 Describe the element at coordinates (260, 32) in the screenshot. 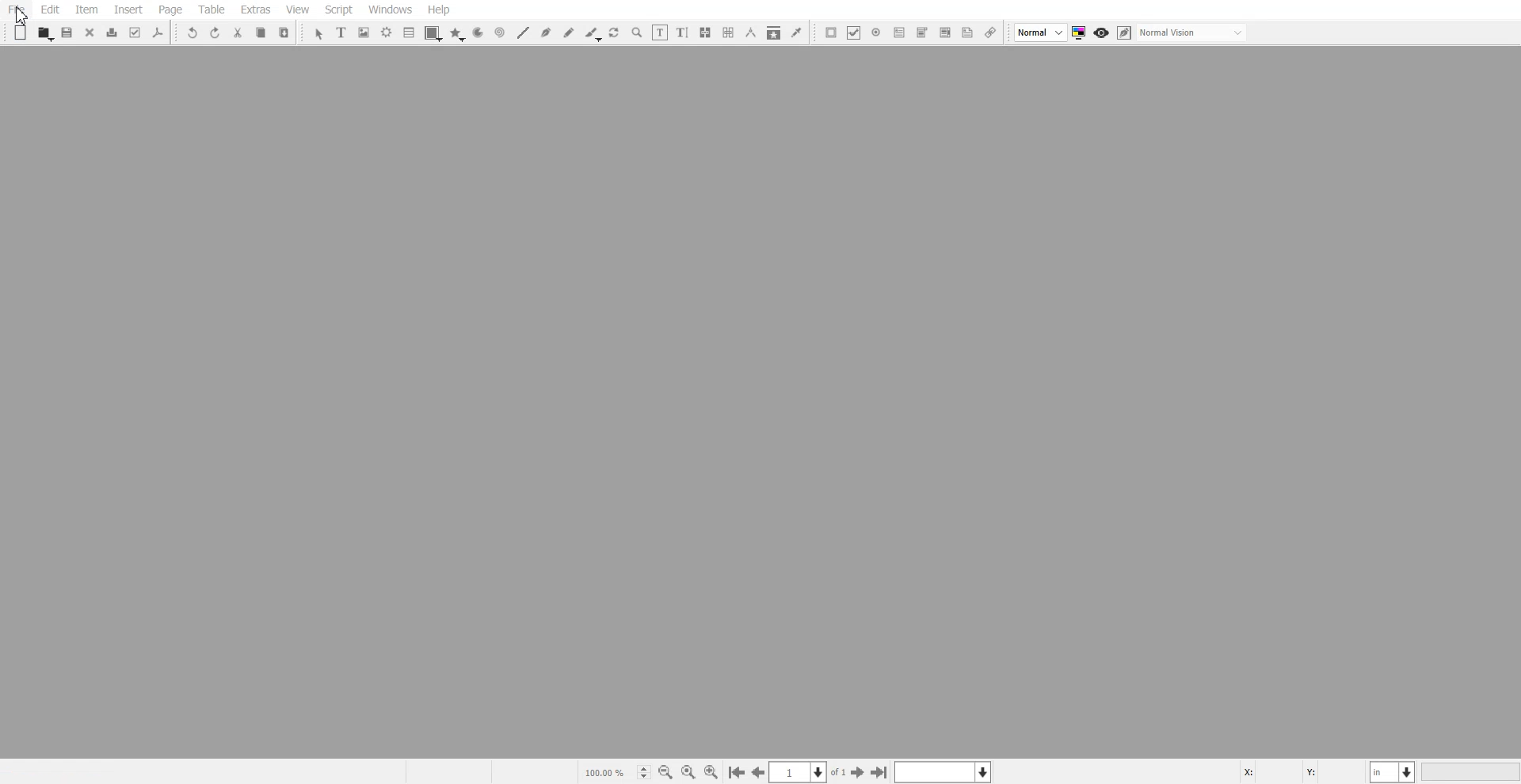

I see `Copy` at that location.